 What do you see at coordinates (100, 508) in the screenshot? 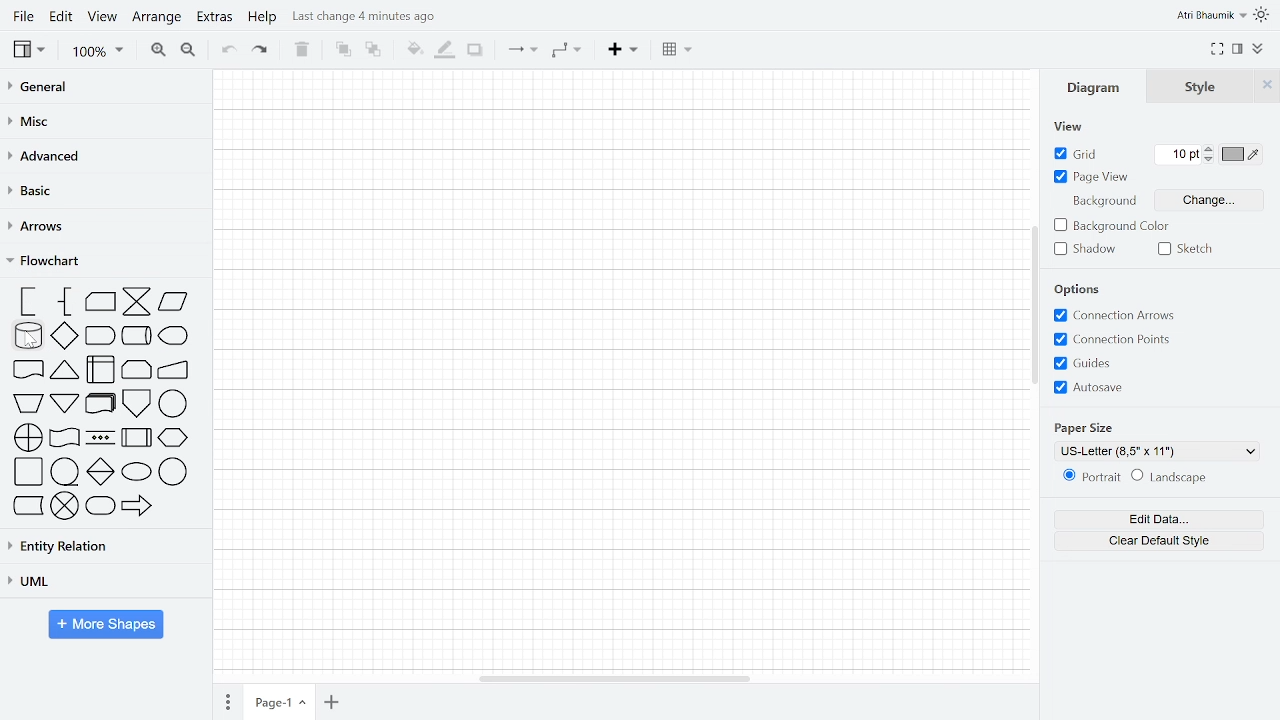
I see `terminator` at bounding box center [100, 508].